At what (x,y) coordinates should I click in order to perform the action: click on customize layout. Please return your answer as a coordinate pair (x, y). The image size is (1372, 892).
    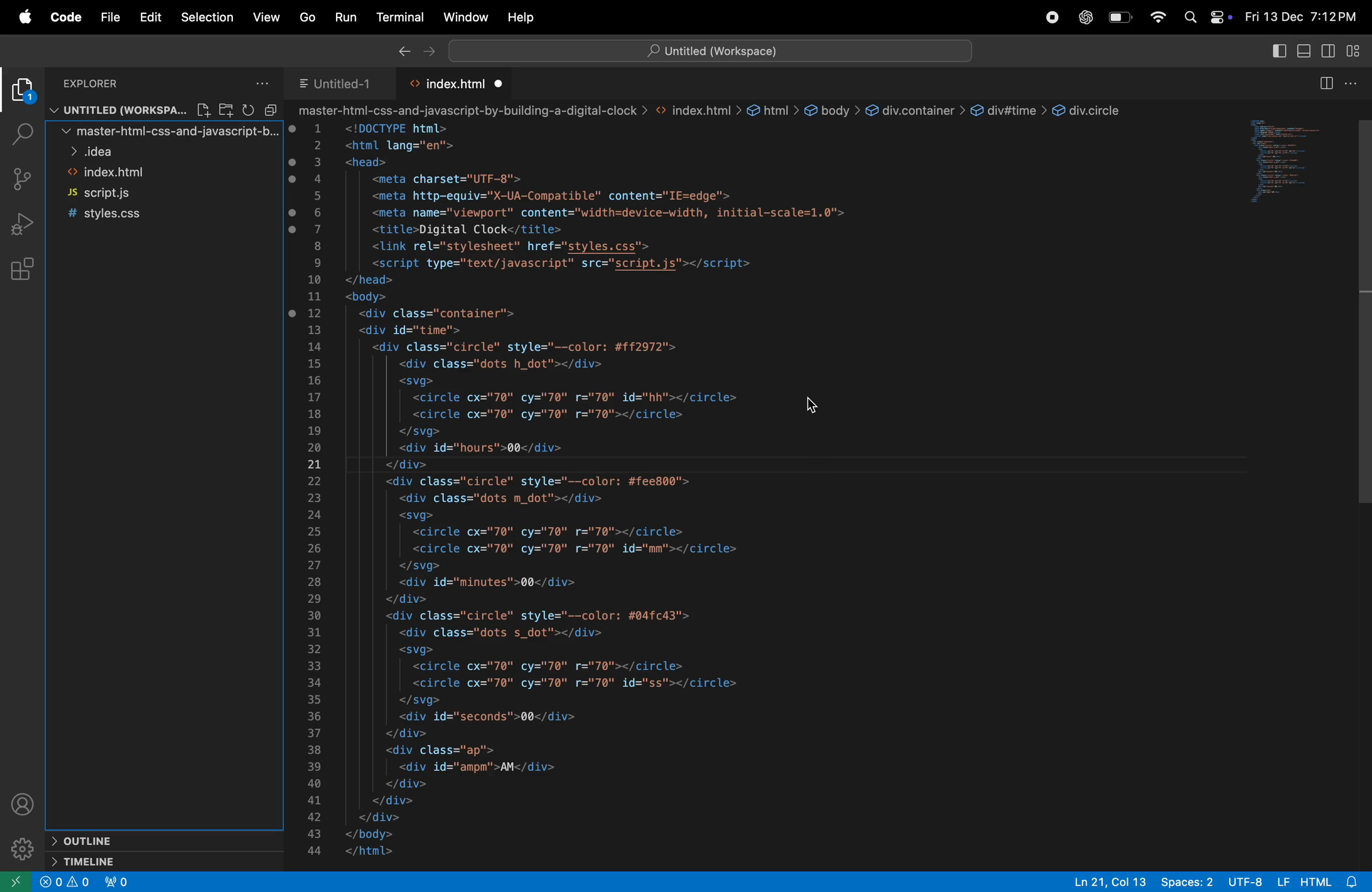
    Looking at the image, I should click on (1358, 54).